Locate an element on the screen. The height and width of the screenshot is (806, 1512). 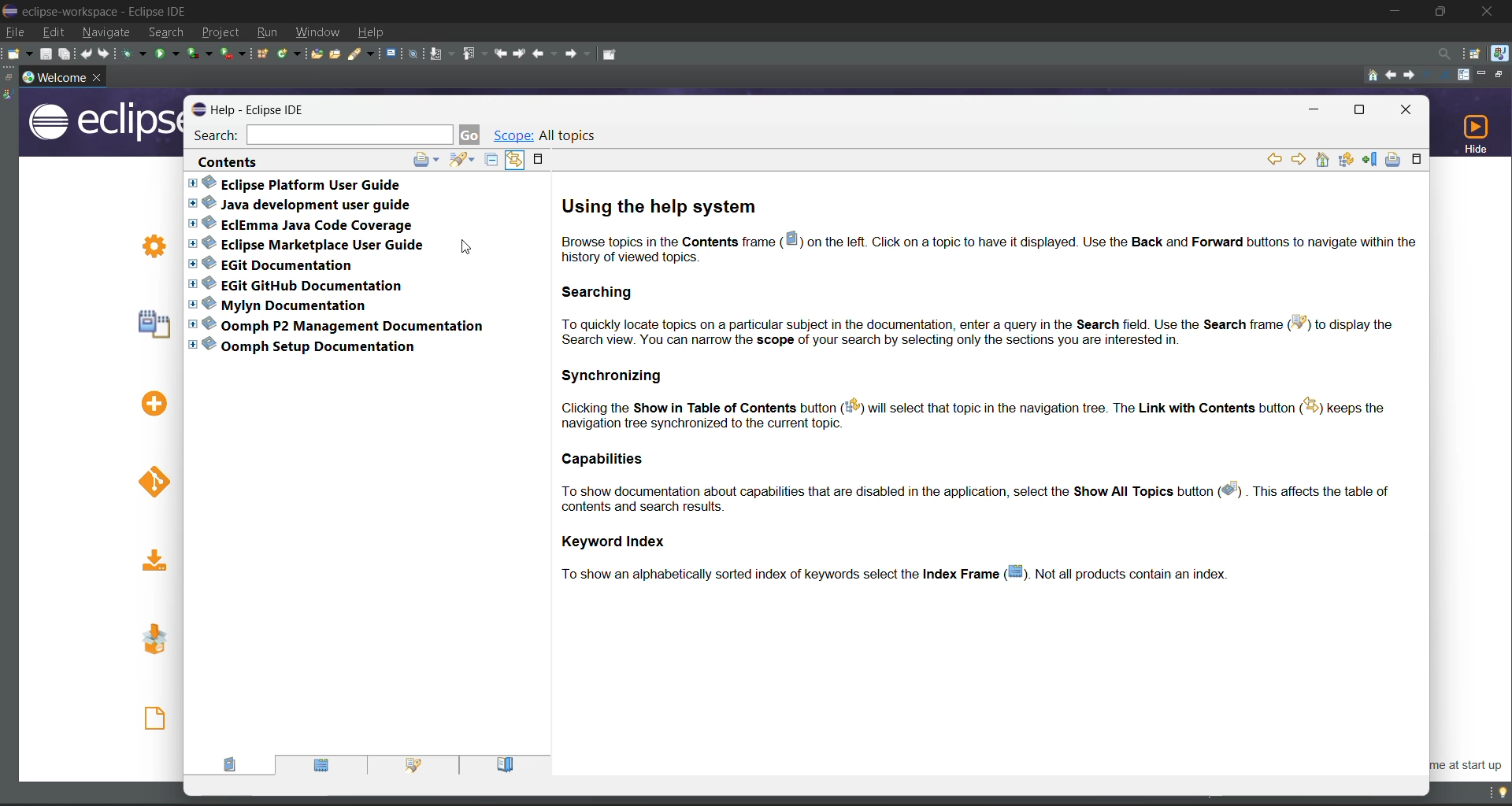
print is located at coordinates (428, 162).